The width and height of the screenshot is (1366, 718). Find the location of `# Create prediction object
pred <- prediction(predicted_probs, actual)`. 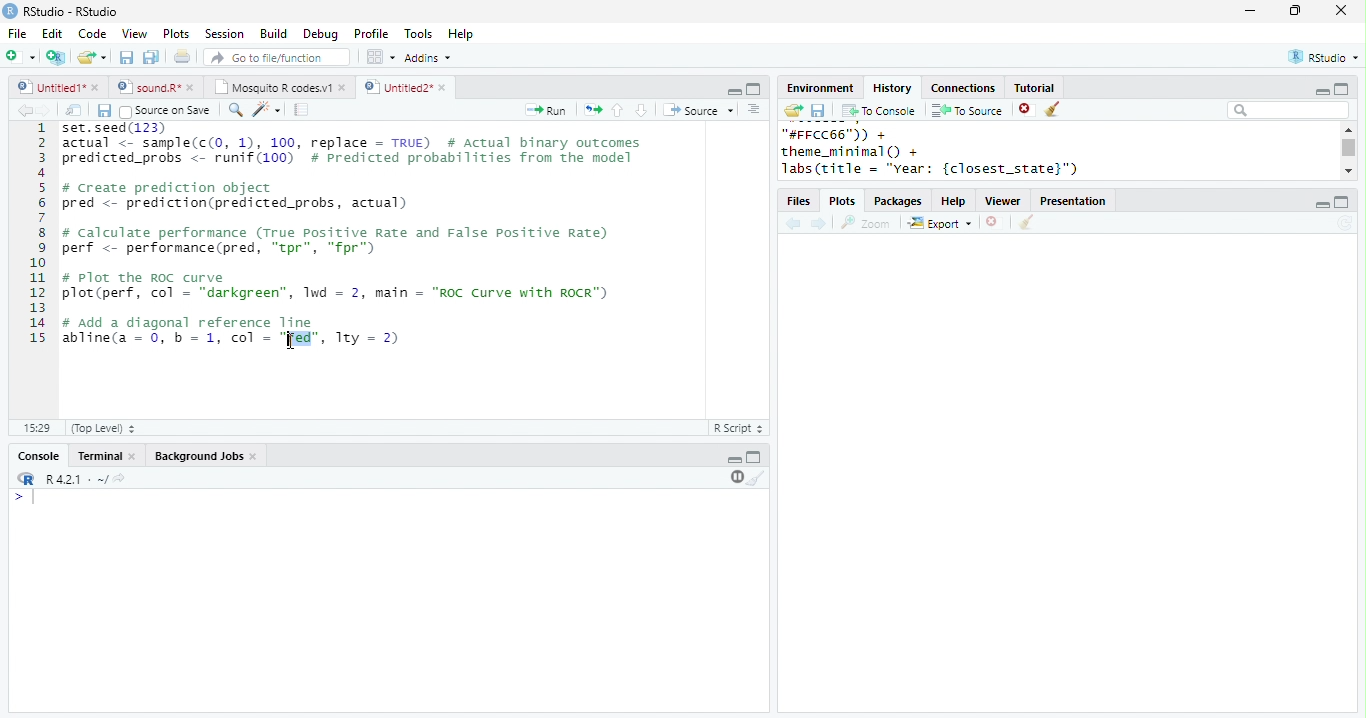

# Create prediction object
pred <- prediction(predicted_probs, actual) is located at coordinates (236, 196).